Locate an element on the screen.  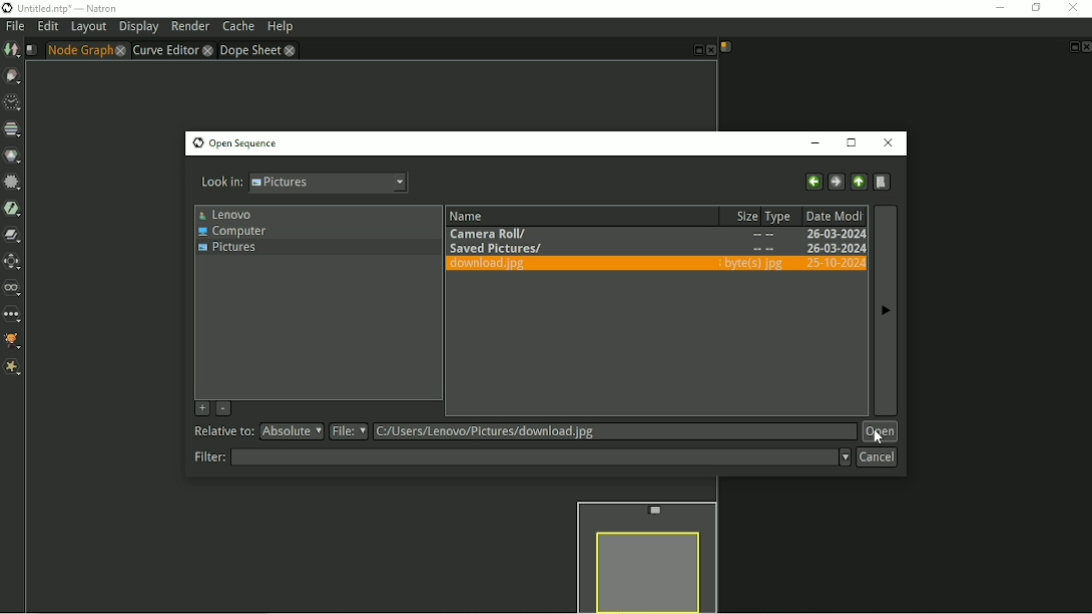
Maximize is located at coordinates (854, 143).